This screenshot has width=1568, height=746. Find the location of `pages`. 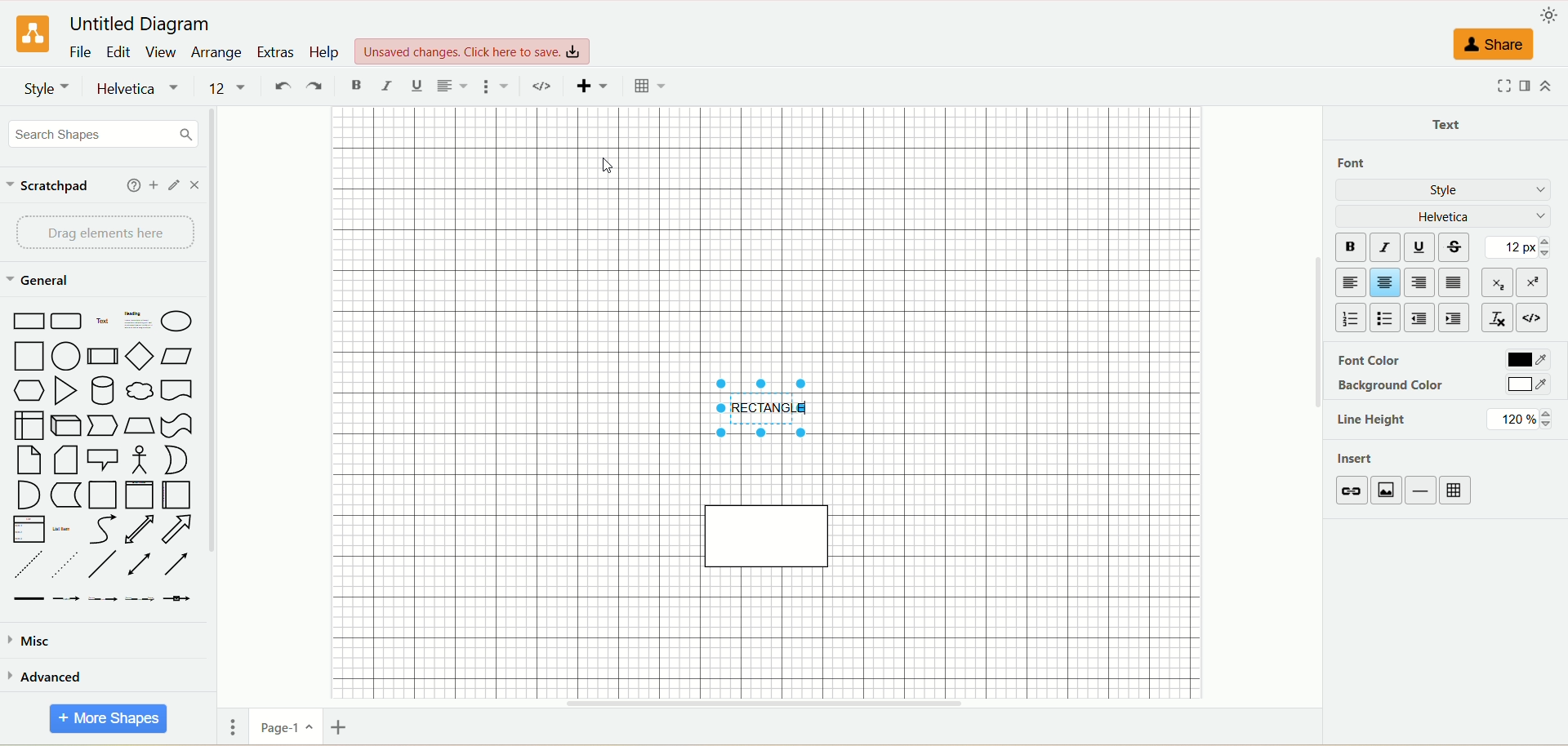

pages is located at coordinates (229, 726).